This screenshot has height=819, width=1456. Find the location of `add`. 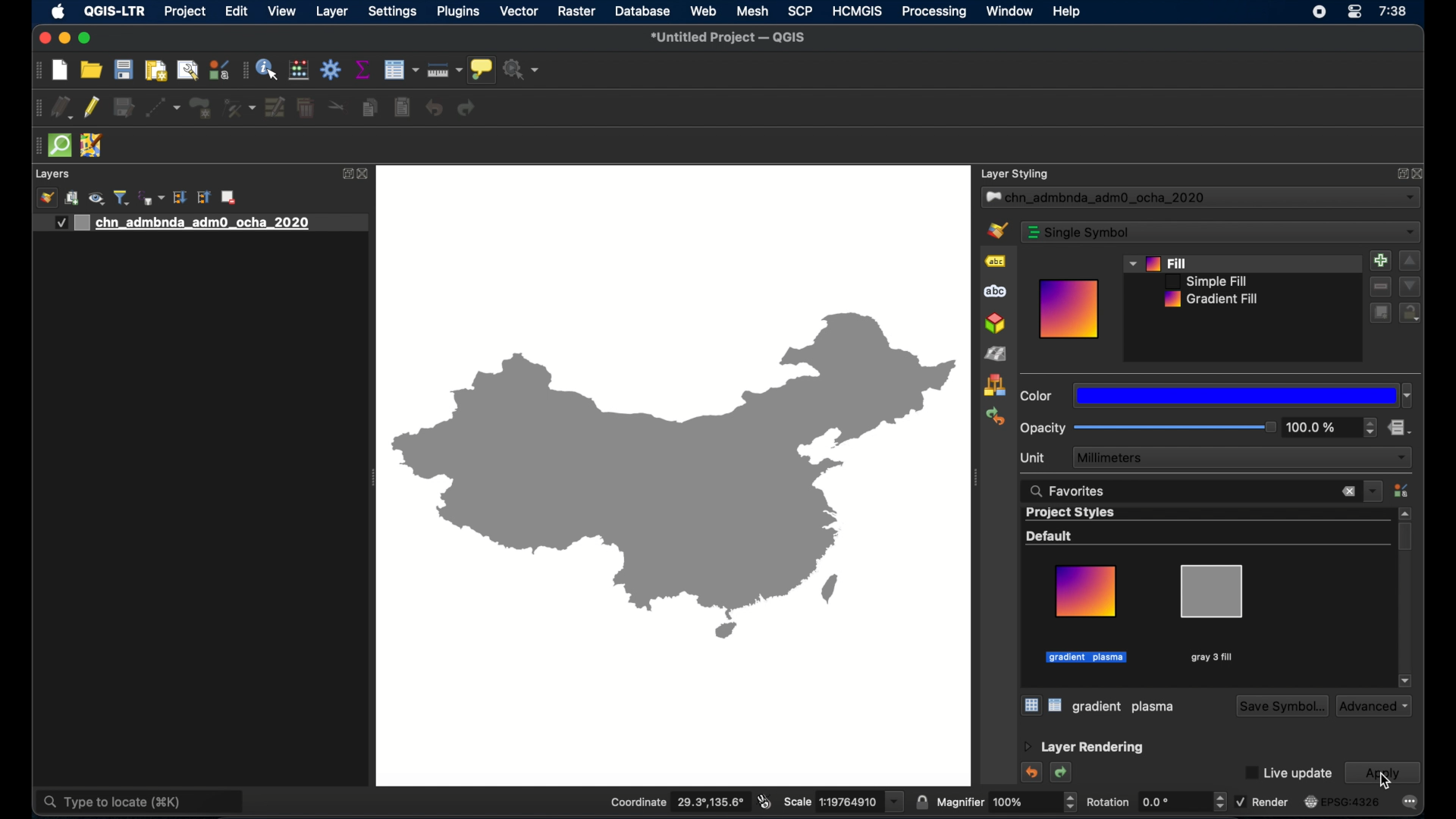

add is located at coordinates (1381, 261).